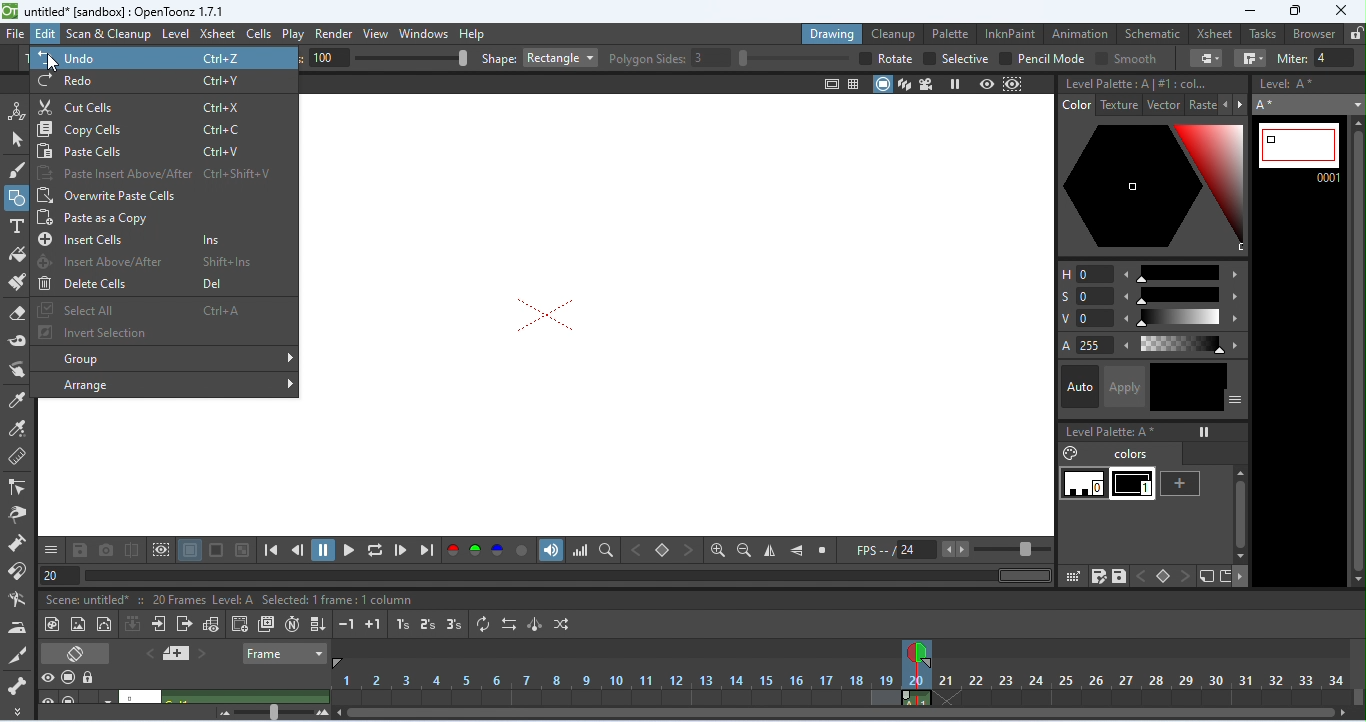  What do you see at coordinates (155, 309) in the screenshot?
I see `select all` at bounding box center [155, 309].